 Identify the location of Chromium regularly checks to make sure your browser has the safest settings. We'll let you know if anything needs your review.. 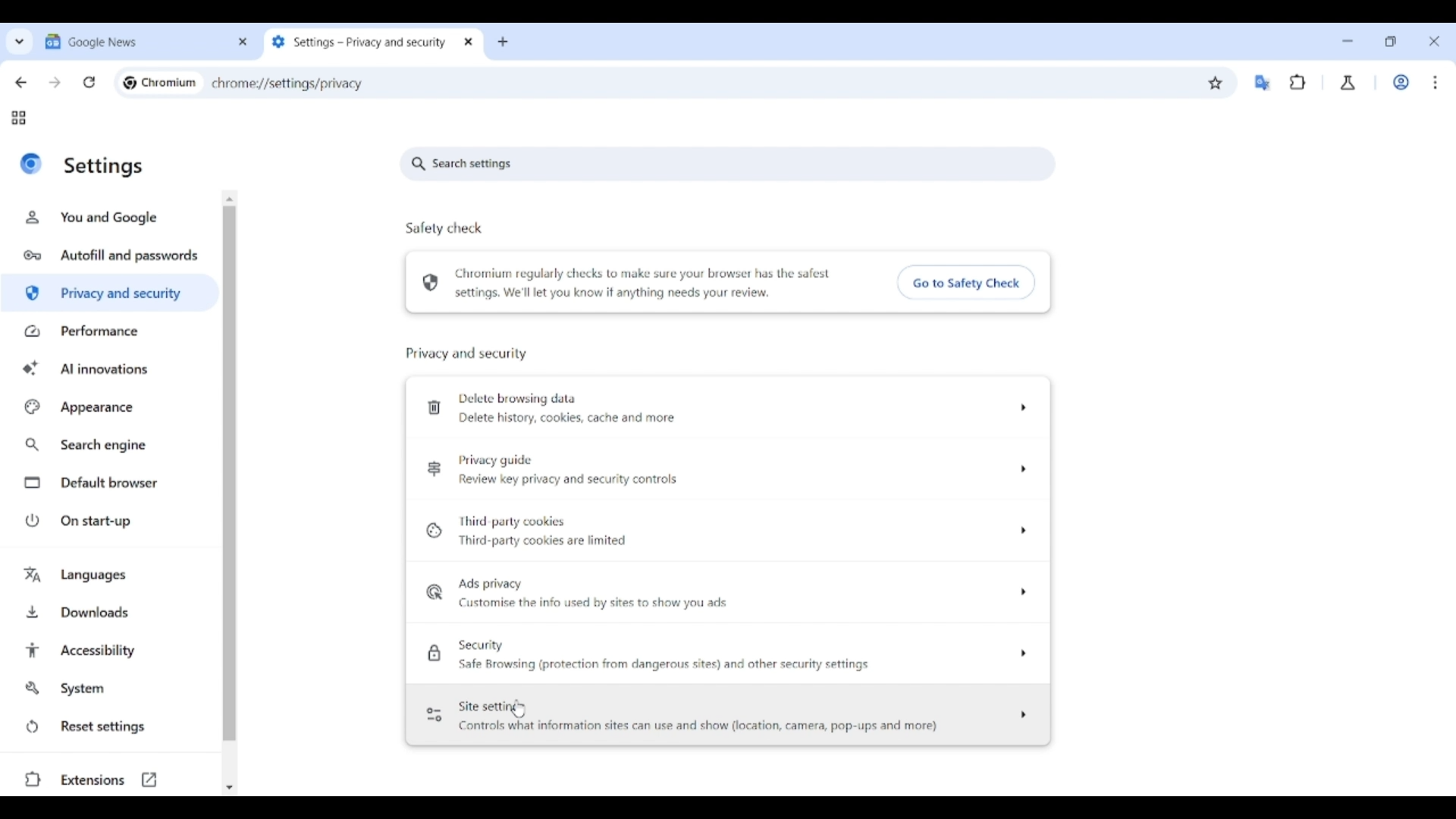
(646, 283).